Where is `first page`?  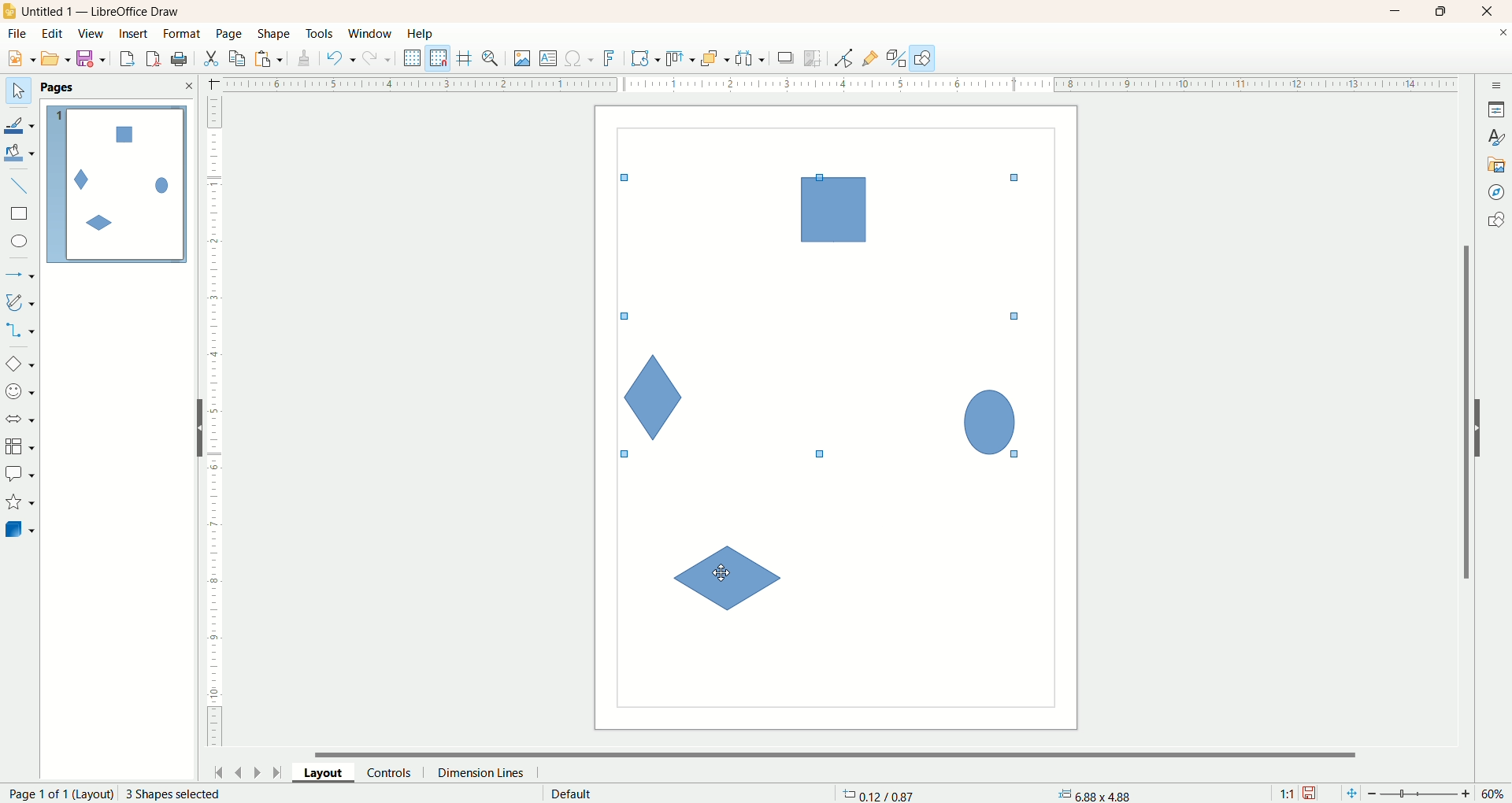
first page is located at coordinates (216, 770).